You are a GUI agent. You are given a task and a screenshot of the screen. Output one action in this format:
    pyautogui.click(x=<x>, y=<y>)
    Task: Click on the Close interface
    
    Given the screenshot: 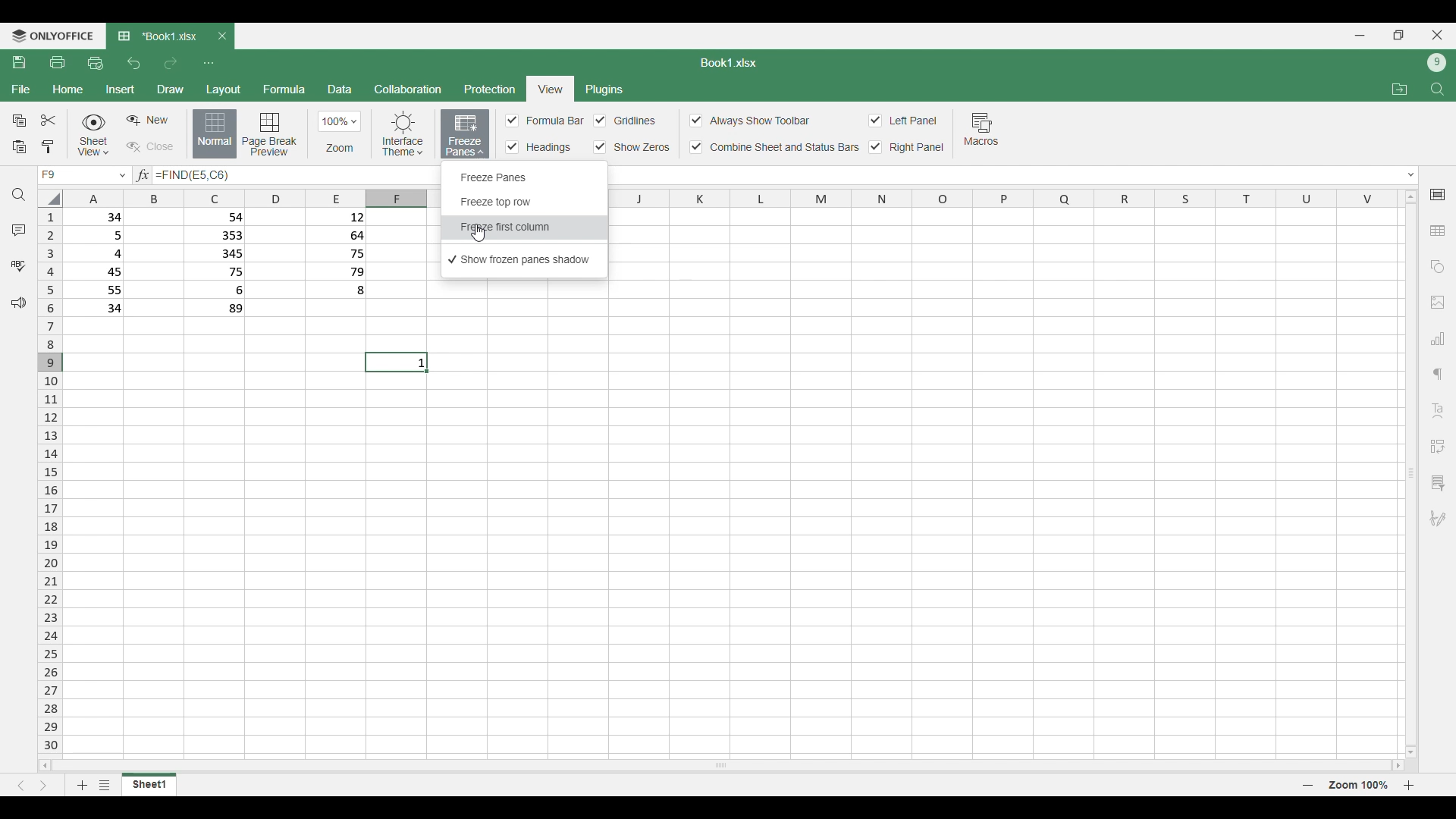 What is the action you would take?
    pyautogui.click(x=1438, y=35)
    